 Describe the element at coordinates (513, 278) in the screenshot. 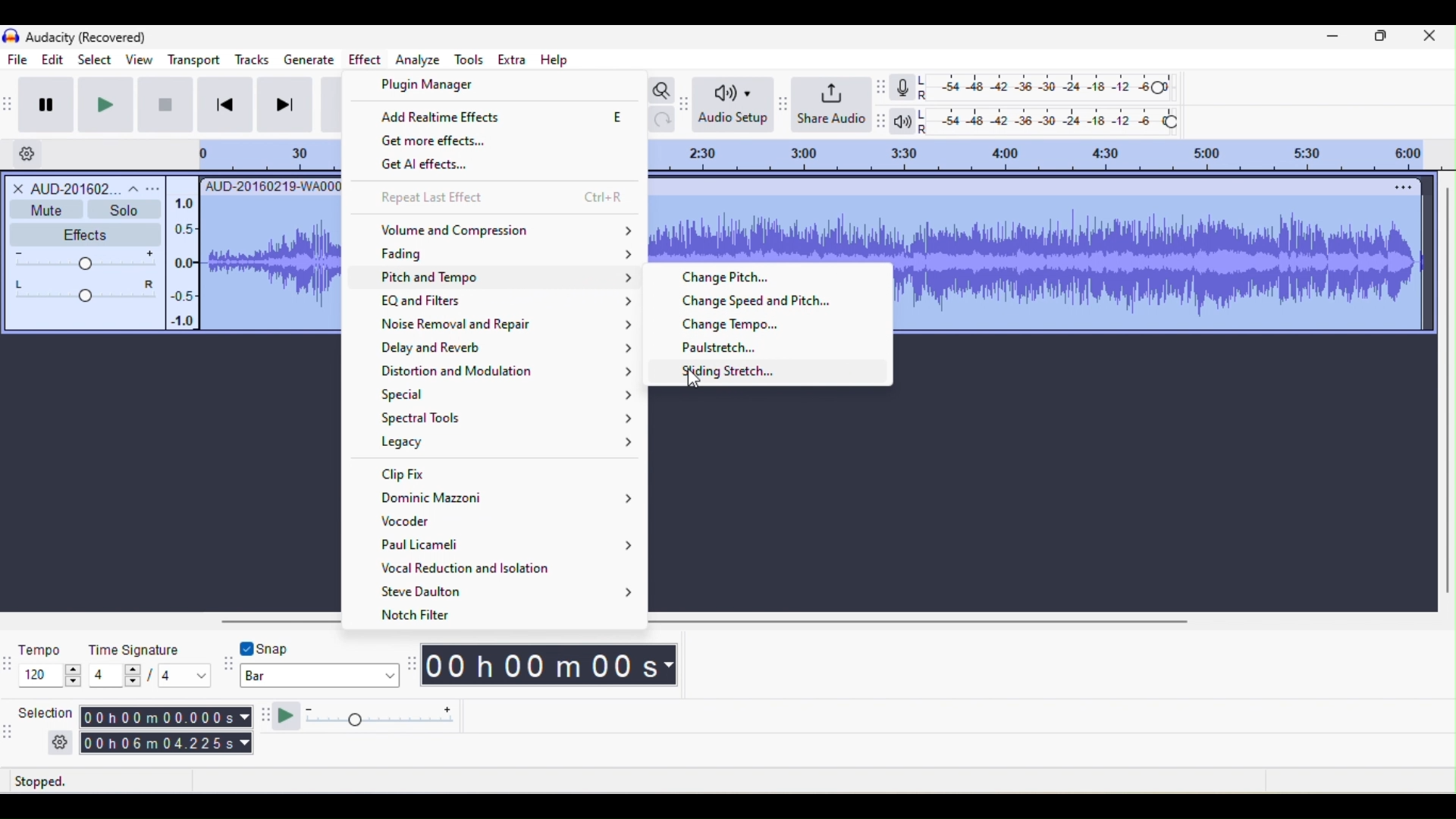

I see `pitch and tempo` at that location.